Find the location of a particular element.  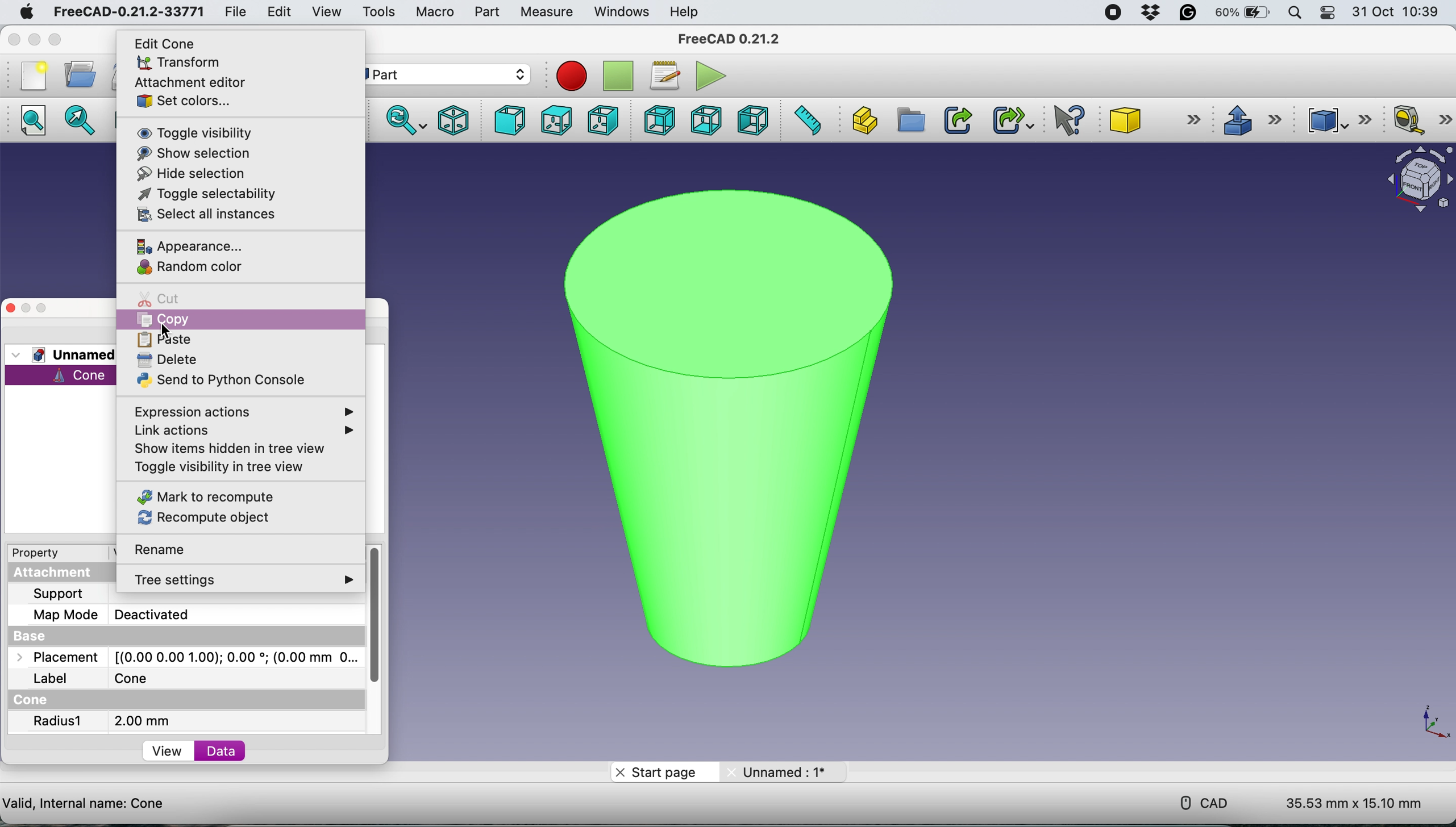

map mode: Deactivated is located at coordinates (124, 615).